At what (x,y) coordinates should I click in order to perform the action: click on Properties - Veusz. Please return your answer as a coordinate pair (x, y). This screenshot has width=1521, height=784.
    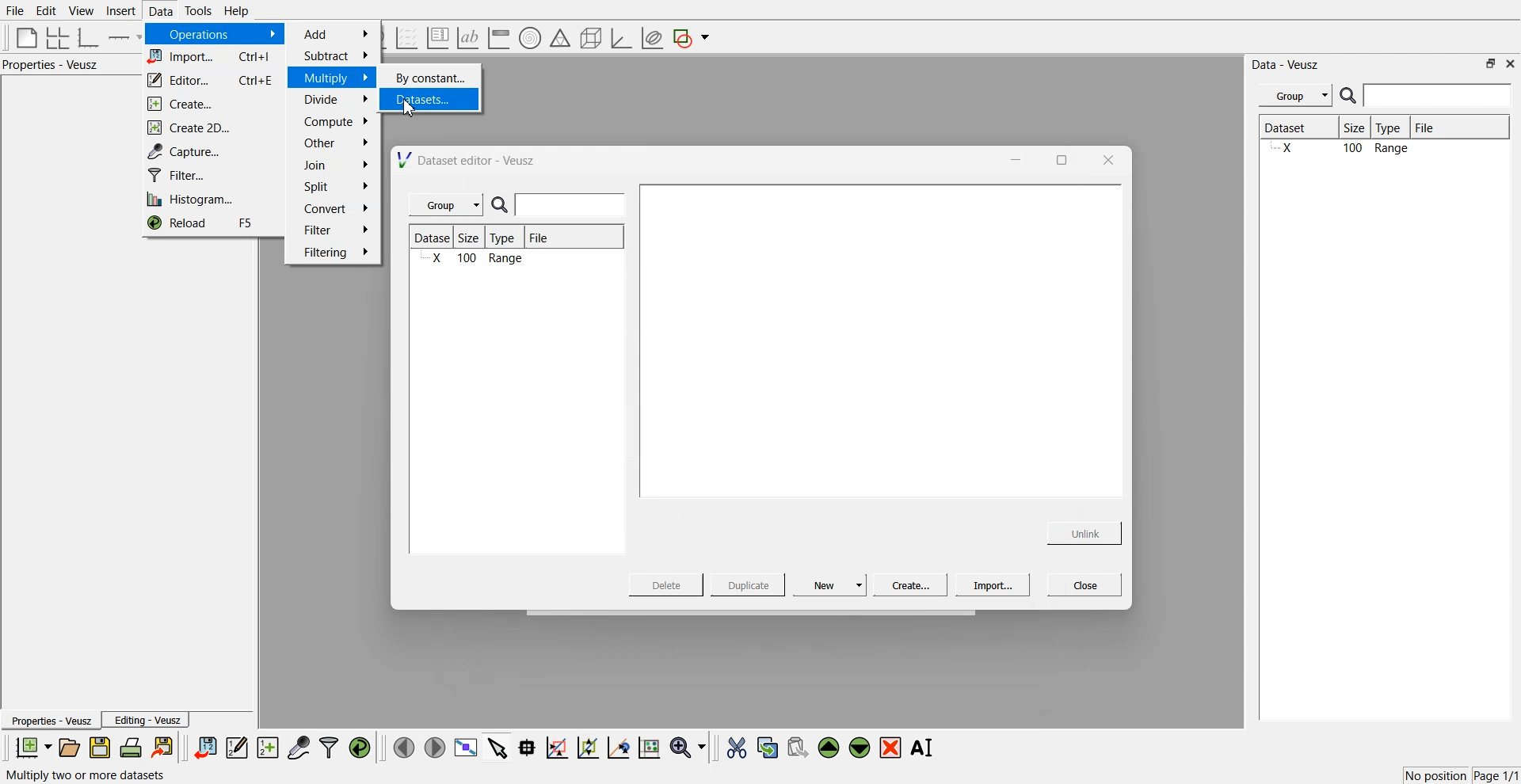
    Looking at the image, I should click on (51, 721).